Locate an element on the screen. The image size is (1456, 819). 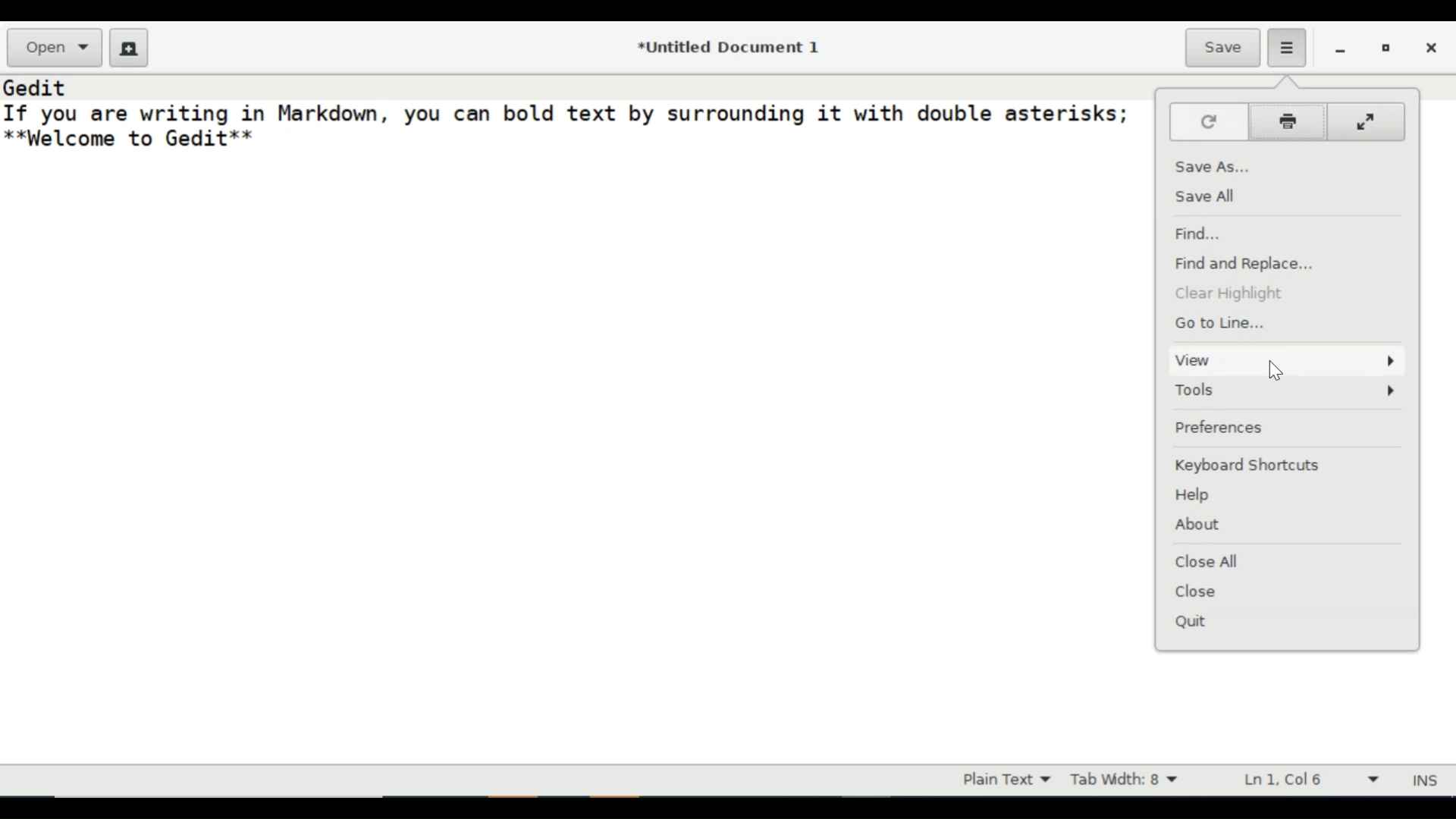
Save All is located at coordinates (1213, 194).